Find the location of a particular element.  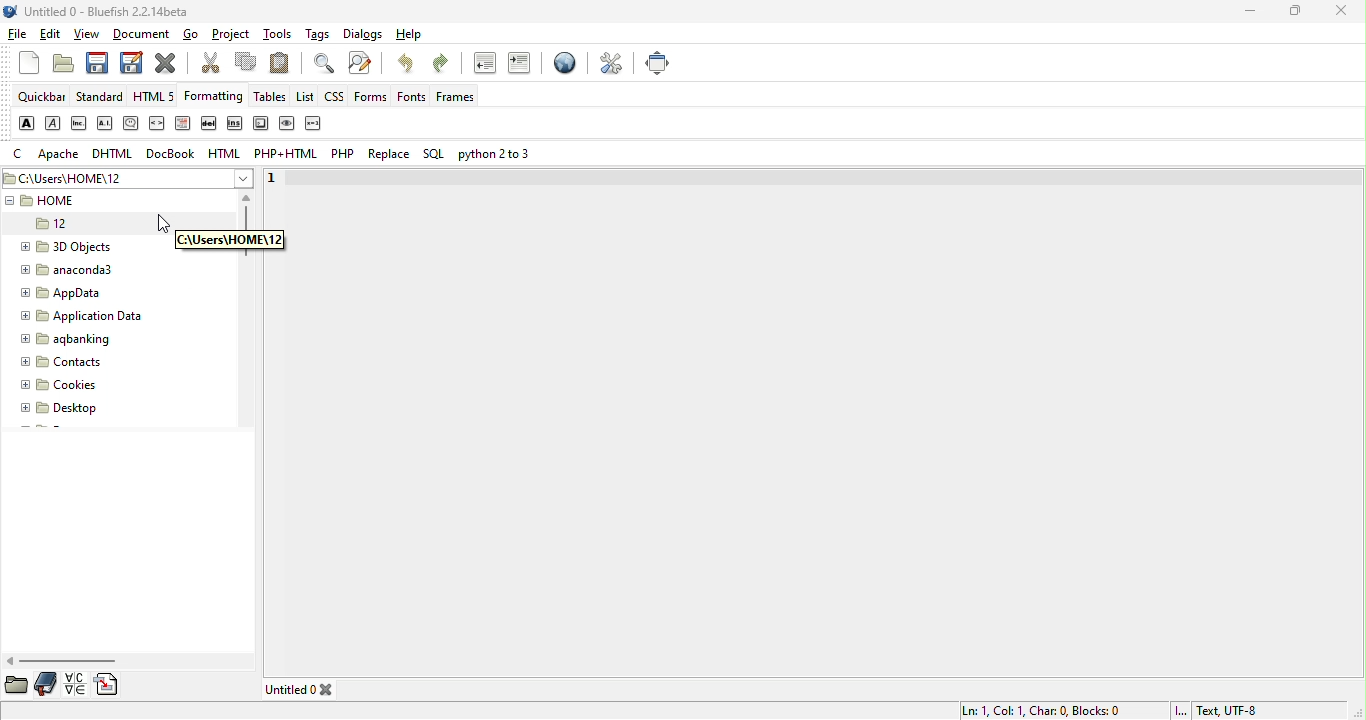

acronym is located at coordinates (105, 125).